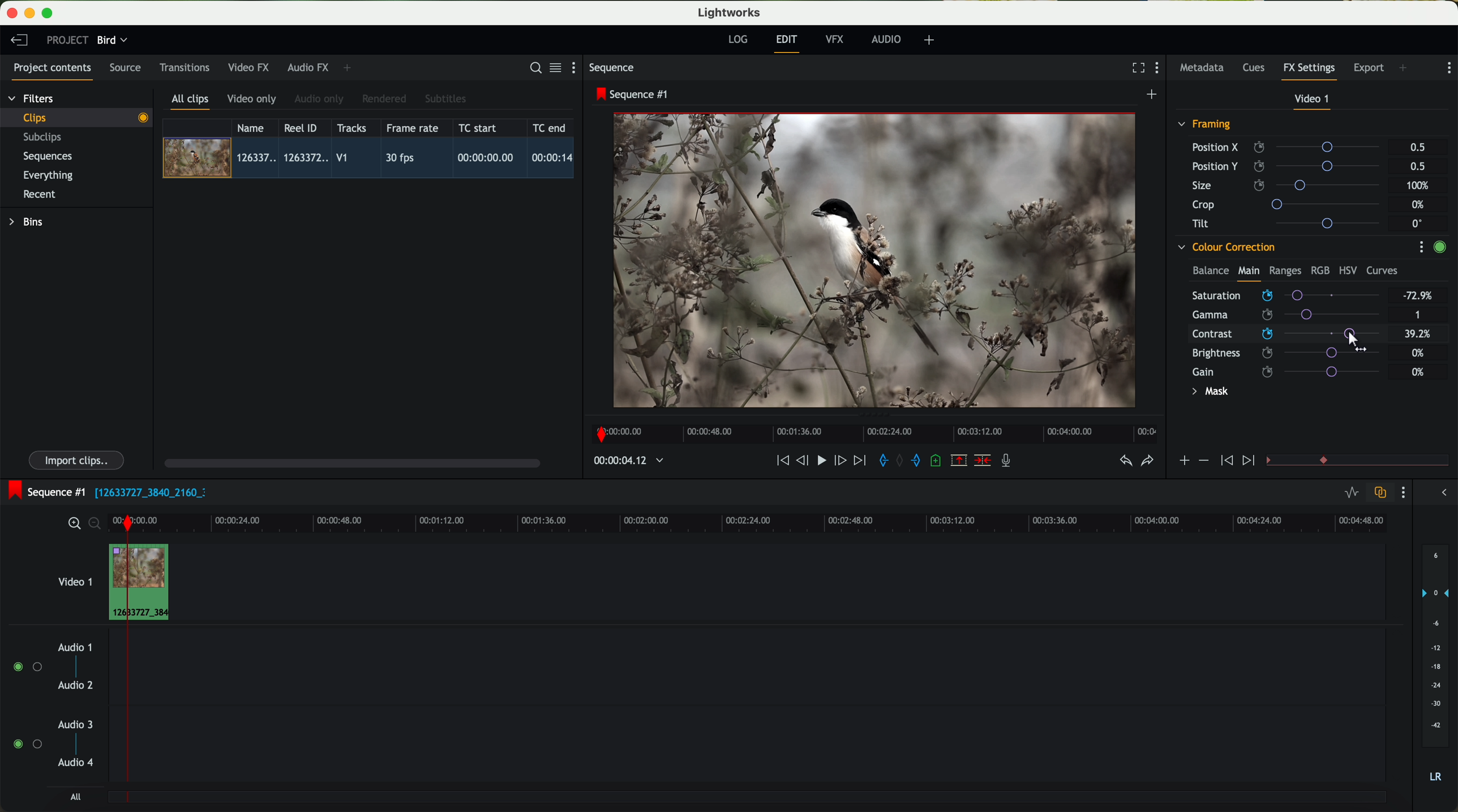 The width and height of the screenshot is (1458, 812). What do you see at coordinates (937, 461) in the screenshot?
I see `add a cue at the current position` at bounding box center [937, 461].